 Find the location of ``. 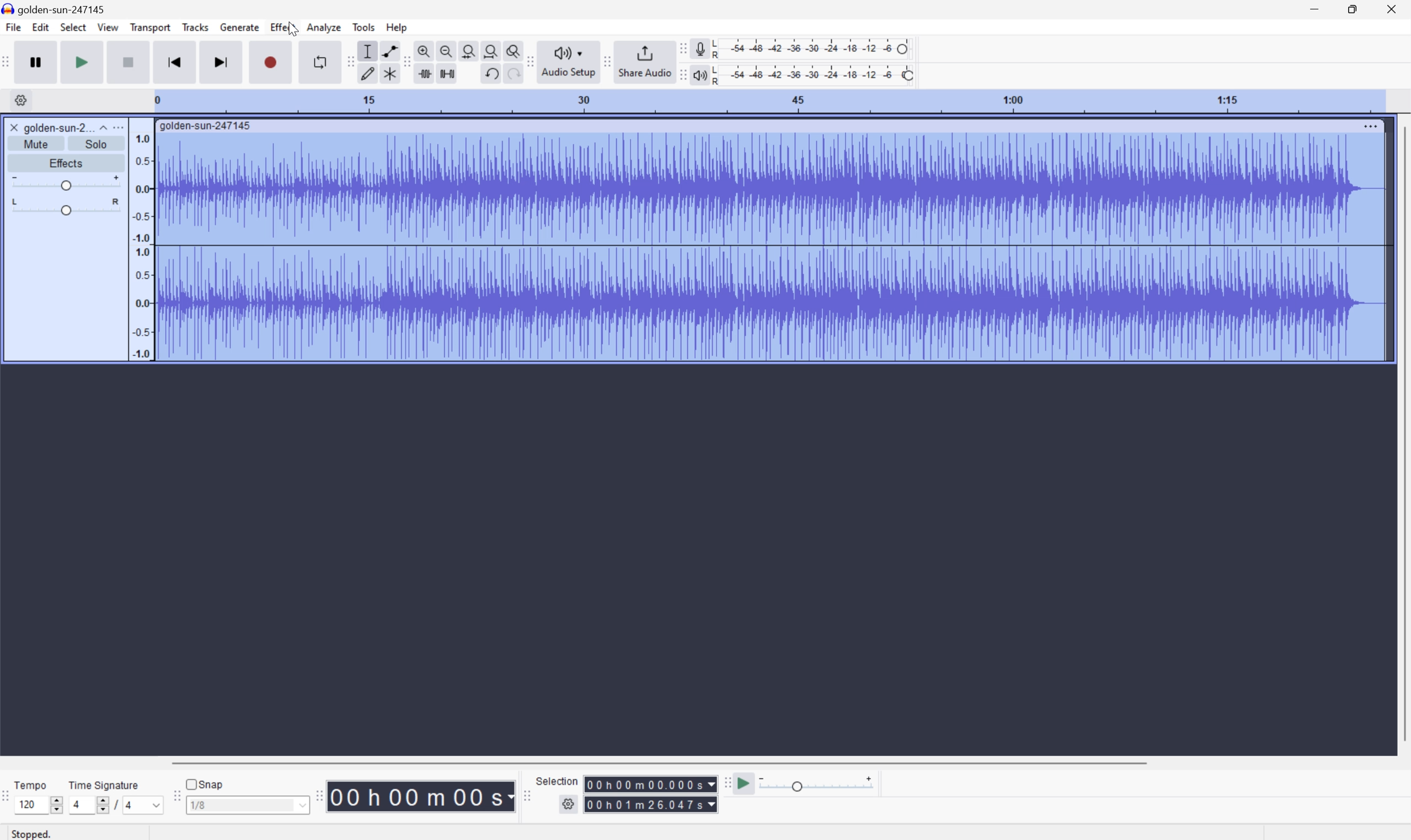

 is located at coordinates (510, 75).